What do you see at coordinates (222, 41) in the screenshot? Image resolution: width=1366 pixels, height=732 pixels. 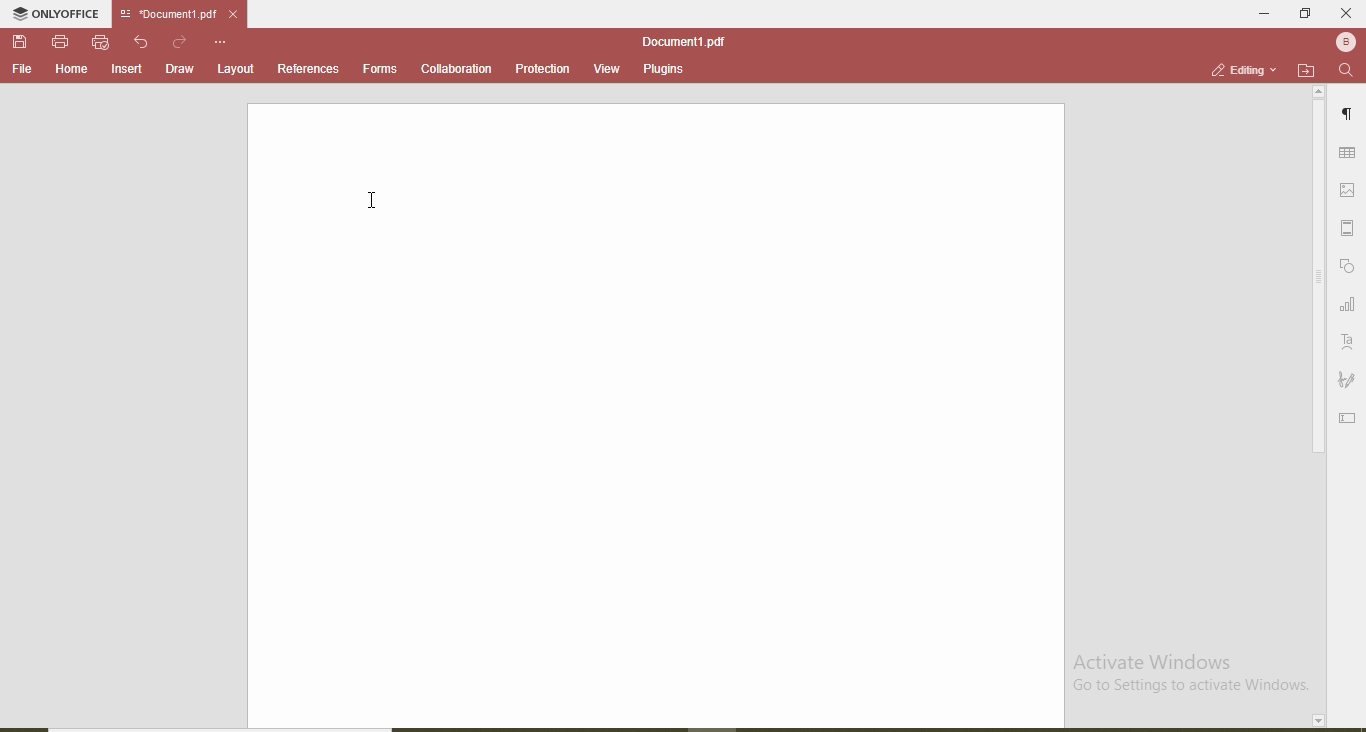 I see `customise quick access toolbar` at bounding box center [222, 41].